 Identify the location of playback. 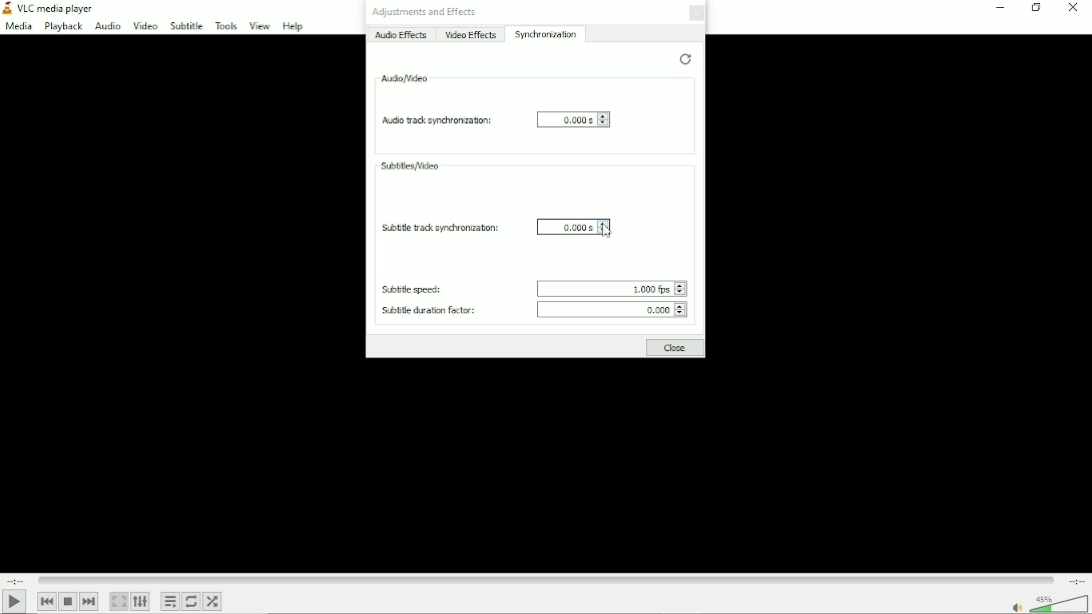
(64, 27).